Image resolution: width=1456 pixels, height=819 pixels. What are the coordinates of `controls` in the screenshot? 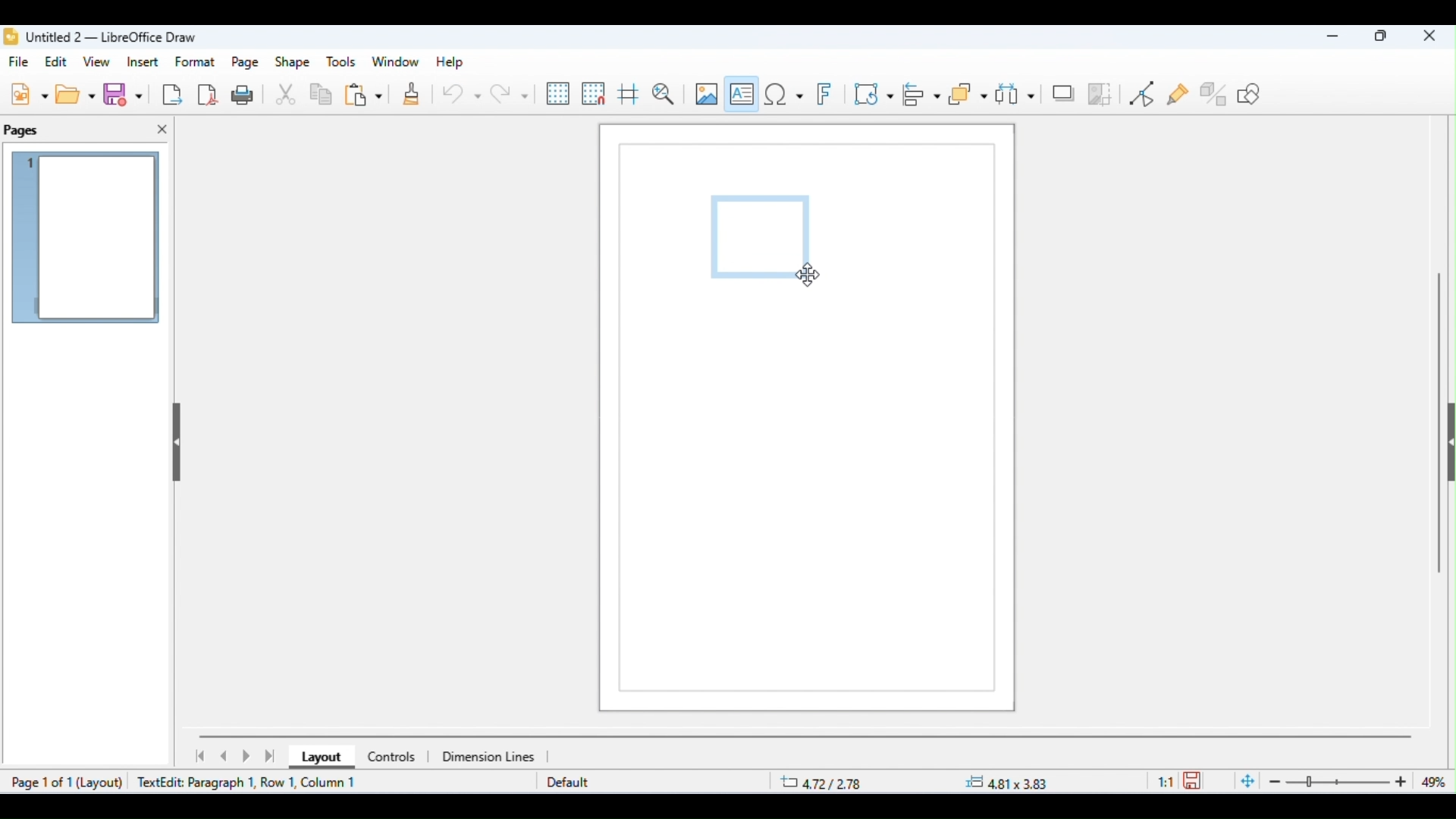 It's located at (391, 757).